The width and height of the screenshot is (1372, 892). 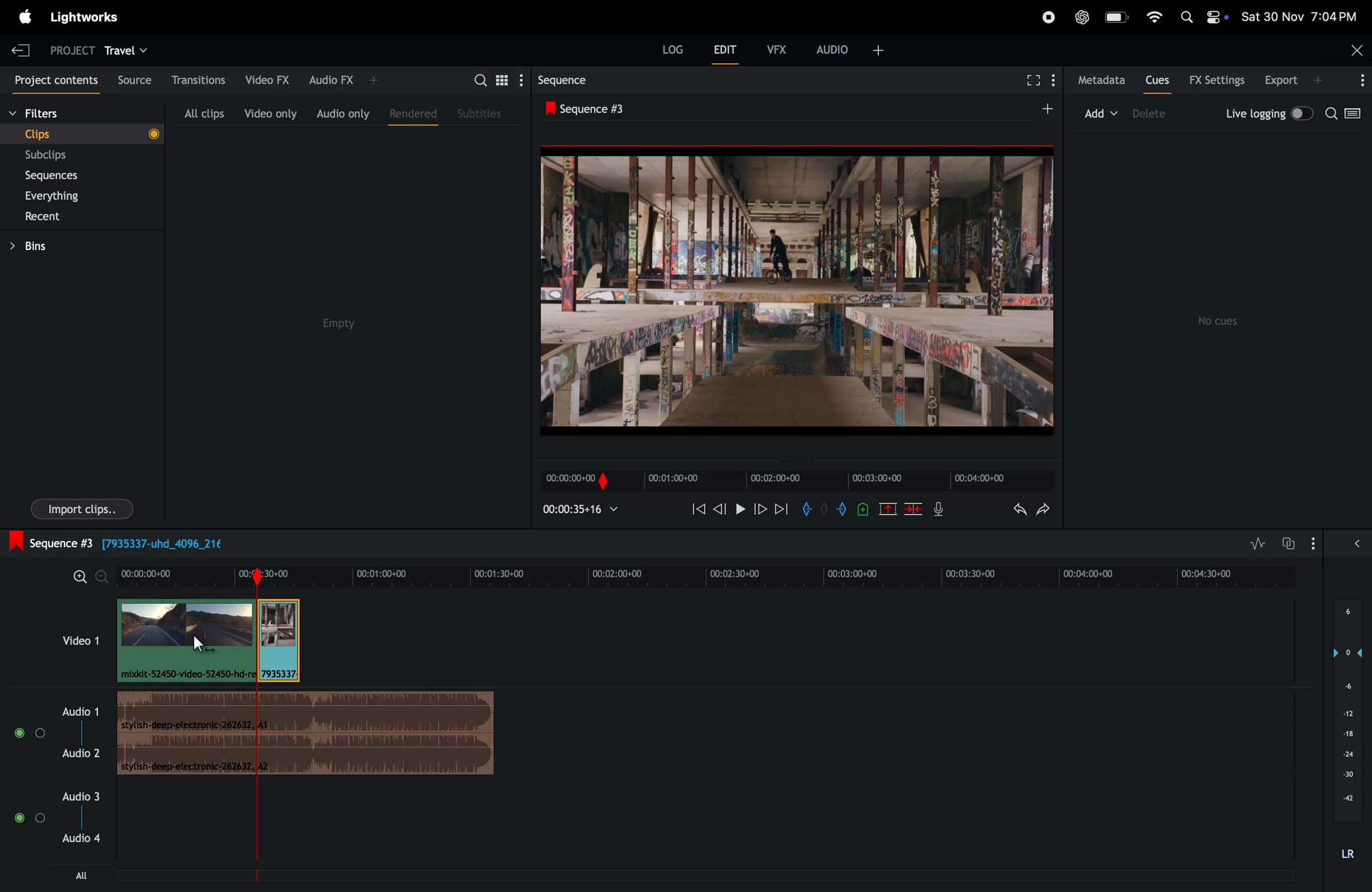 What do you see at coordinates (823, 510) in the screenshot?
I see `` at bounding box center [823, 510].